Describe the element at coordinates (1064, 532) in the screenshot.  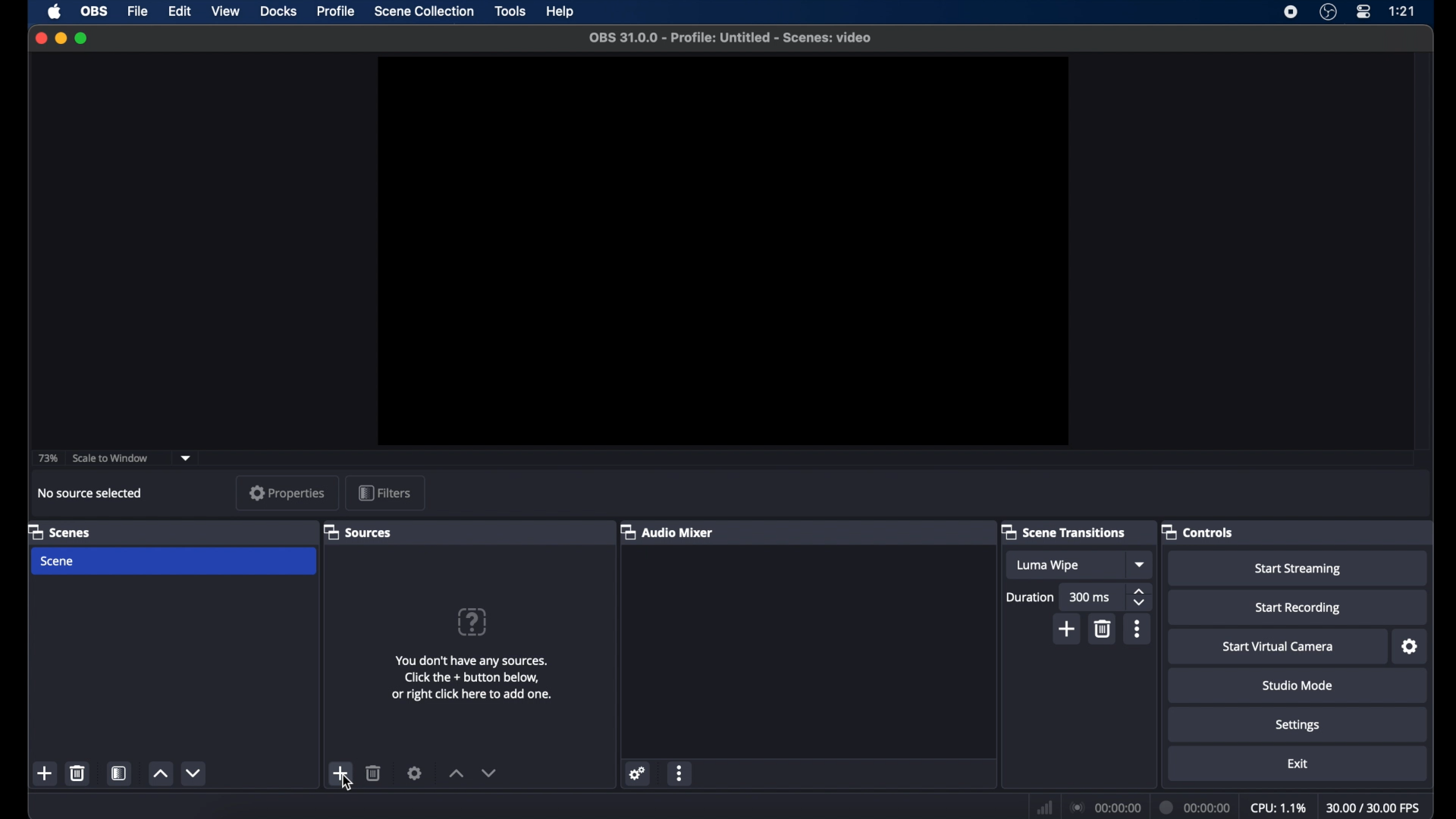
I see `scene transitions` at that location.